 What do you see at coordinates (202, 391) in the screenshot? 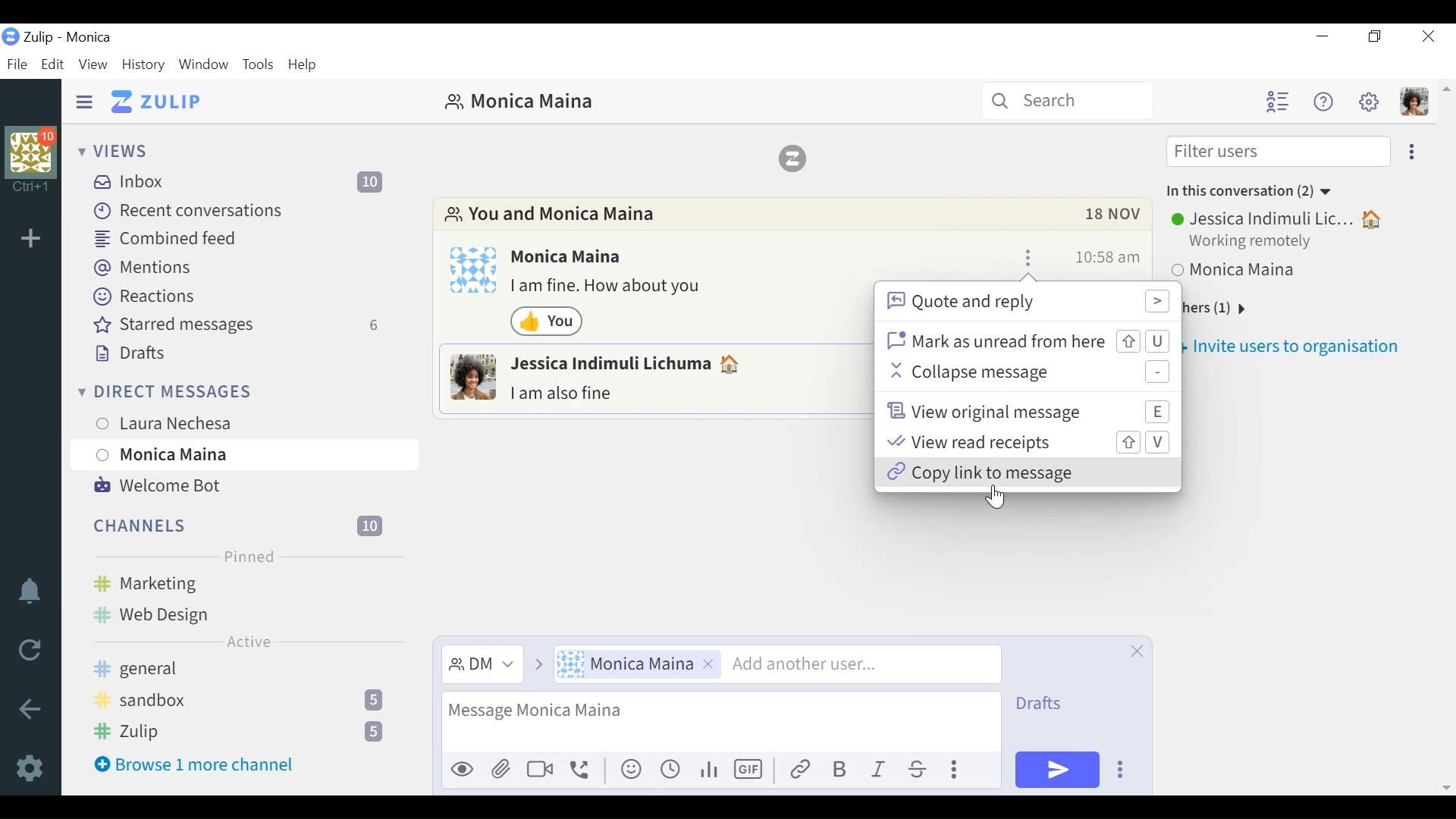
I see `Direct messages` at bounding box center [202, 391].